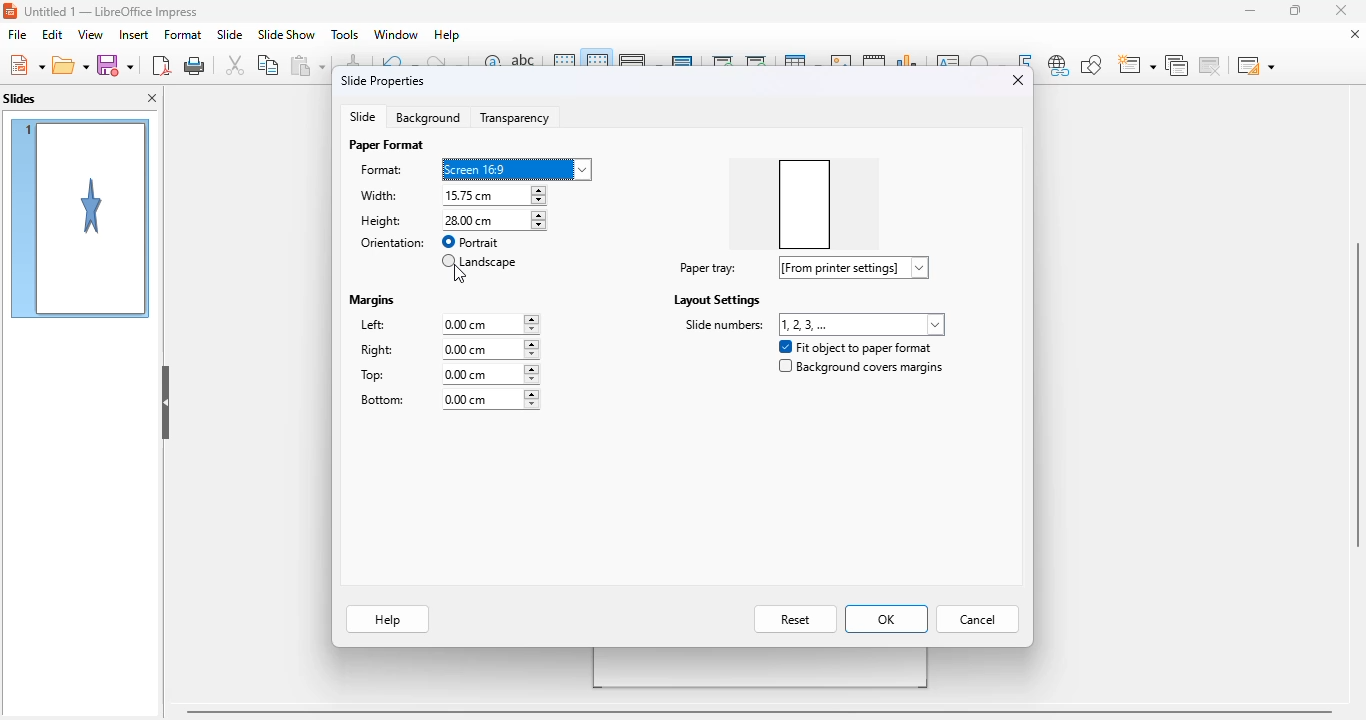  Describe the element at coordinates (390, 618) in the screenshot. I see `help` at that location.